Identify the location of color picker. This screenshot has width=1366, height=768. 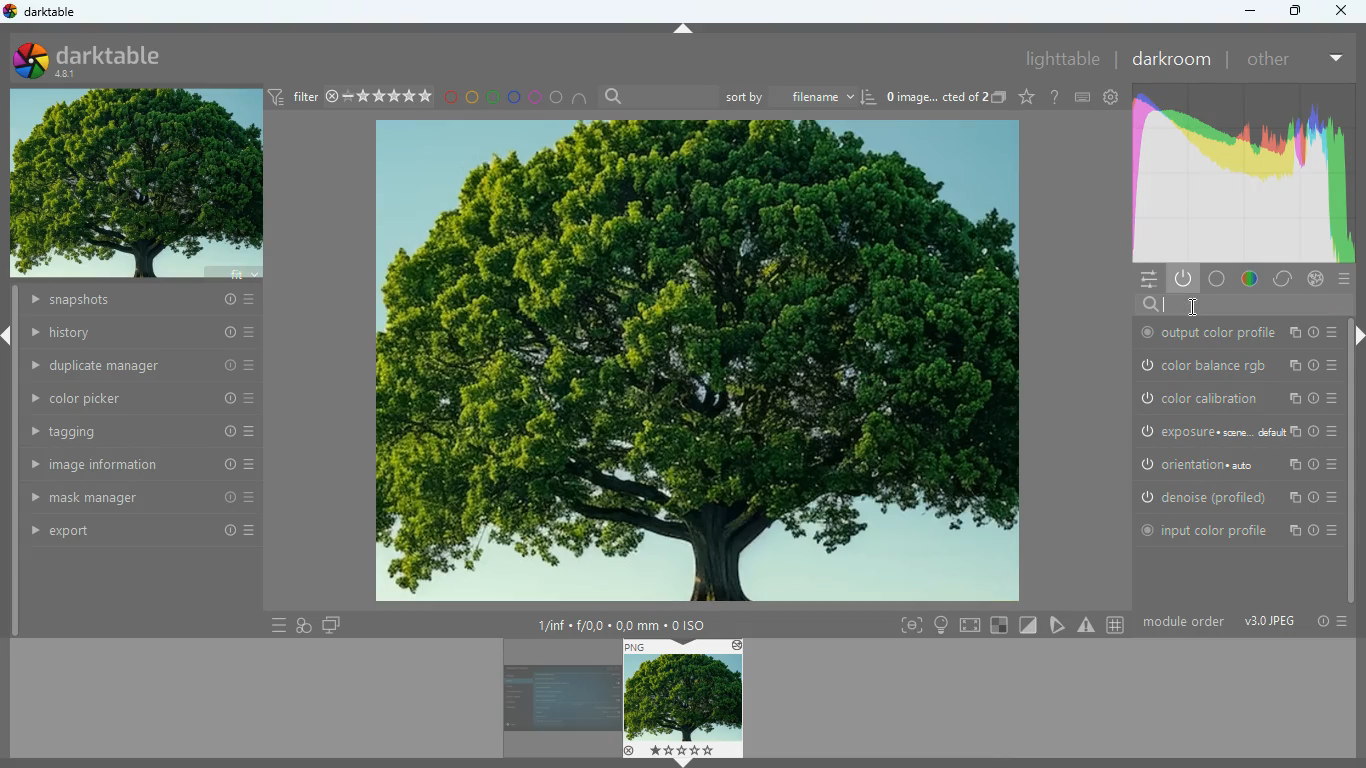
(143, 399).